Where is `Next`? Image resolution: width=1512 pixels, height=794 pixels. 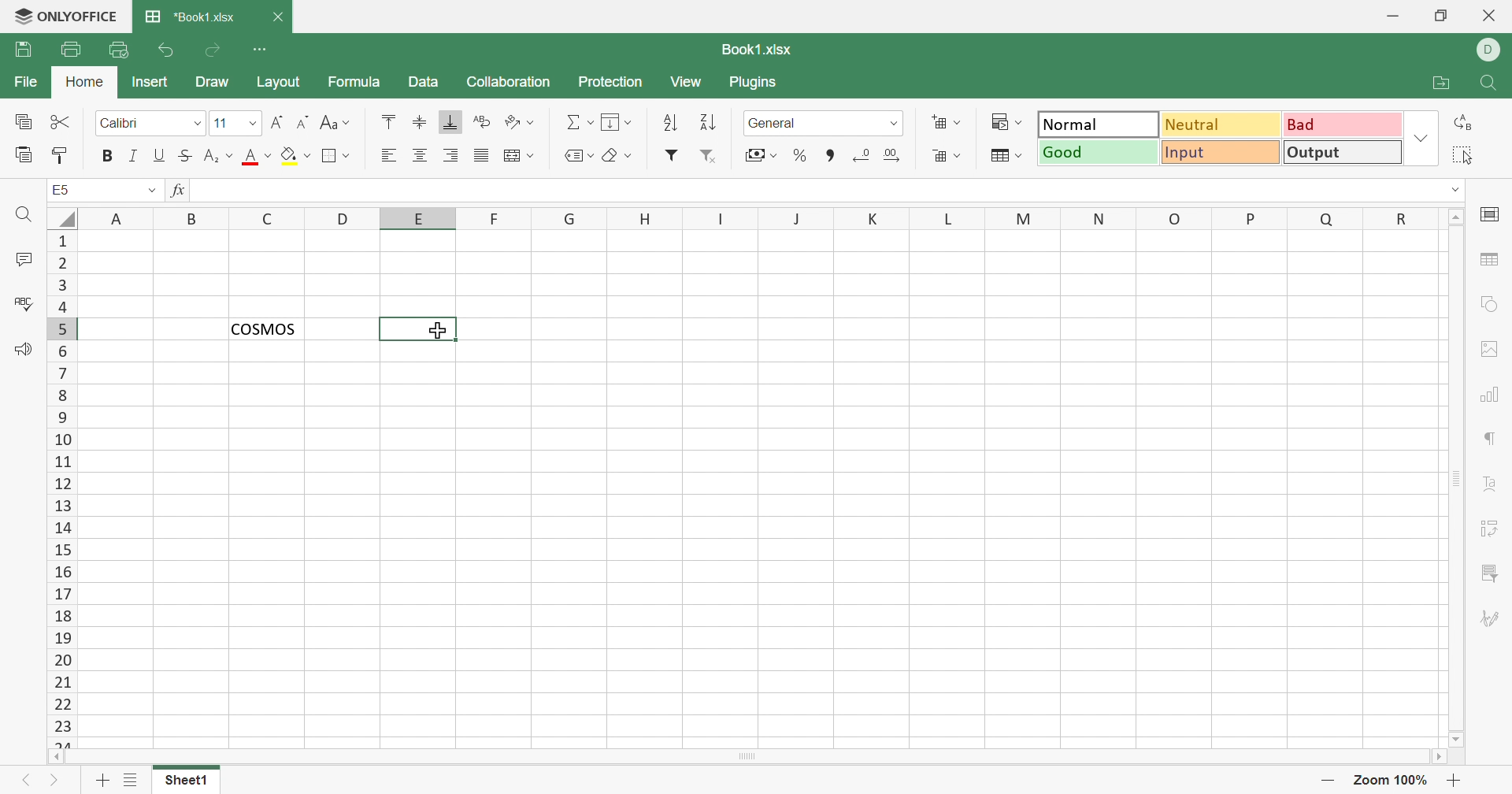 Next is located at coordinates (55, 783).